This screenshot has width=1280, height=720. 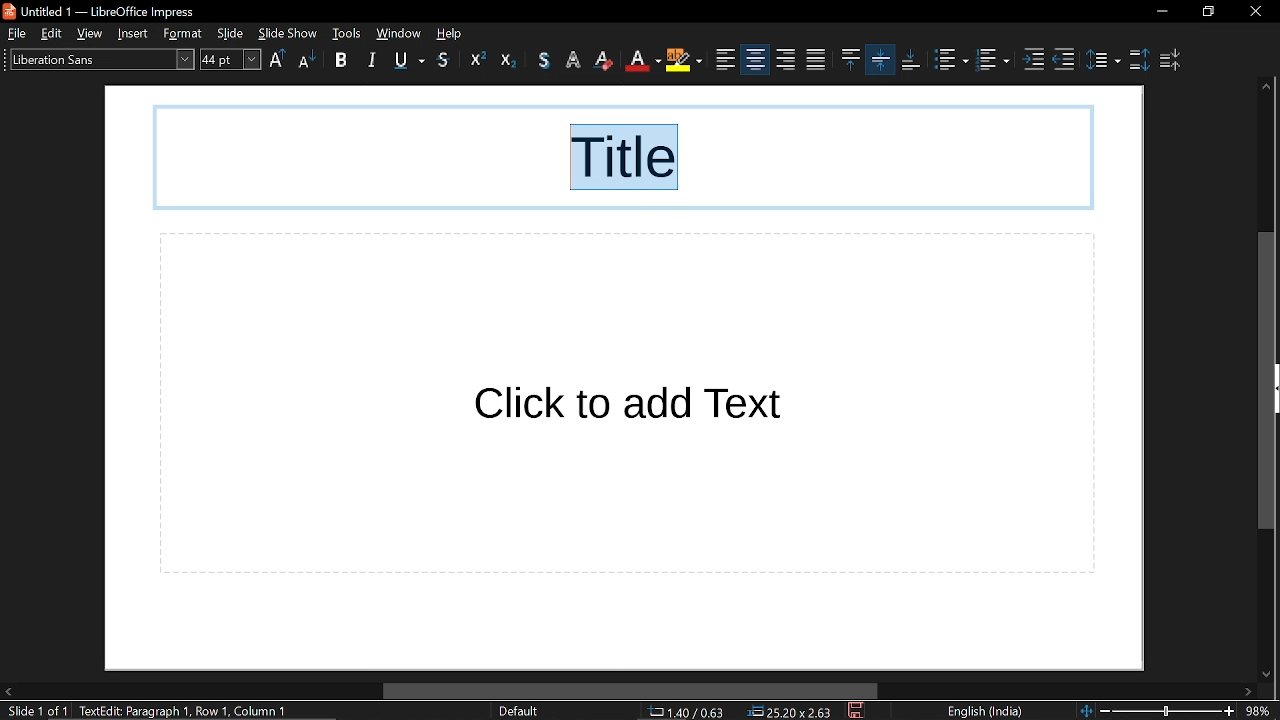 What do you see at coordinates (849, 59) in the screenshot?
I see `center vertically` at bounding box center [849, 59].